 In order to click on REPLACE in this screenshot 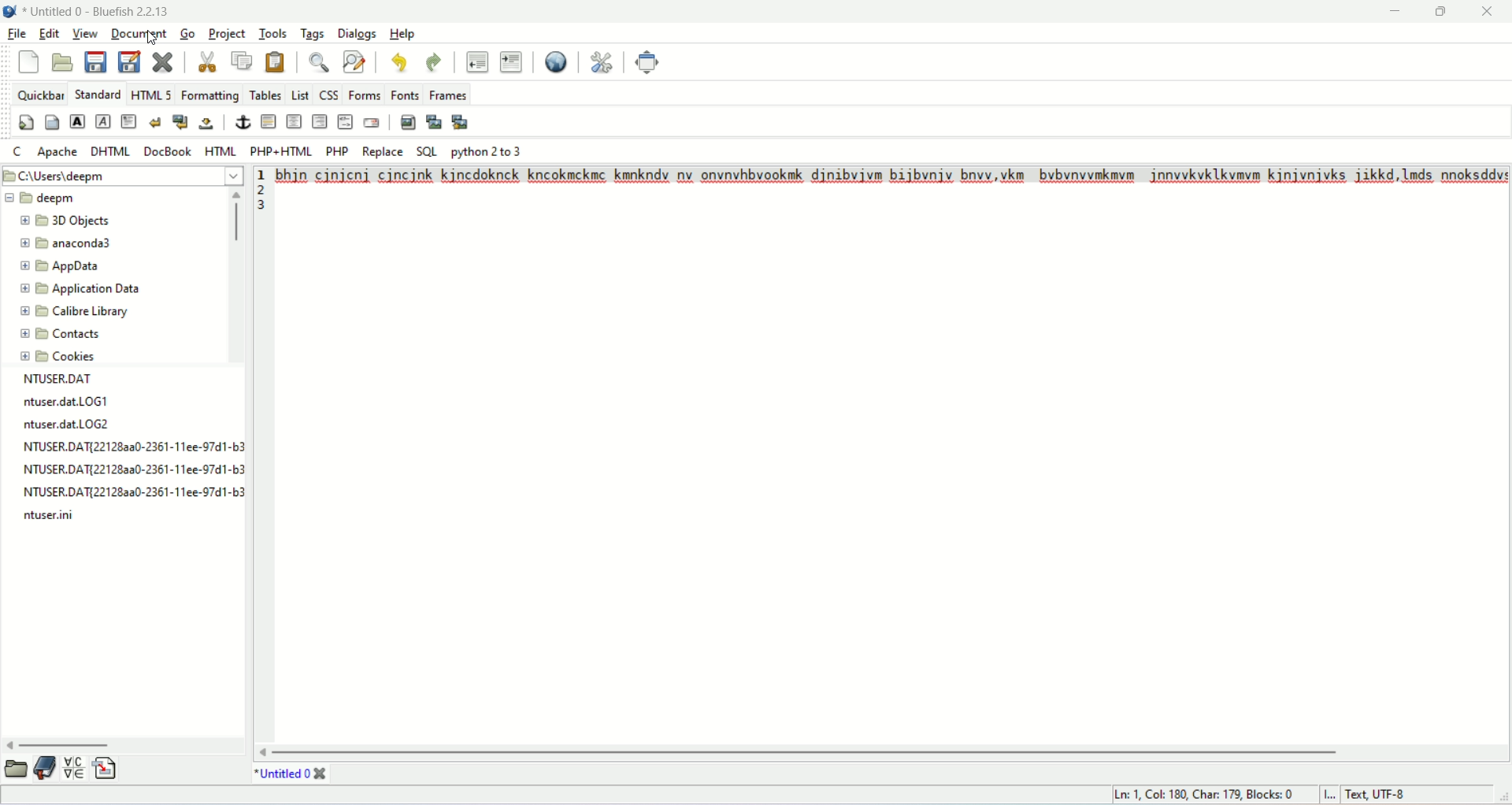, I will do `click(383, 151)`.